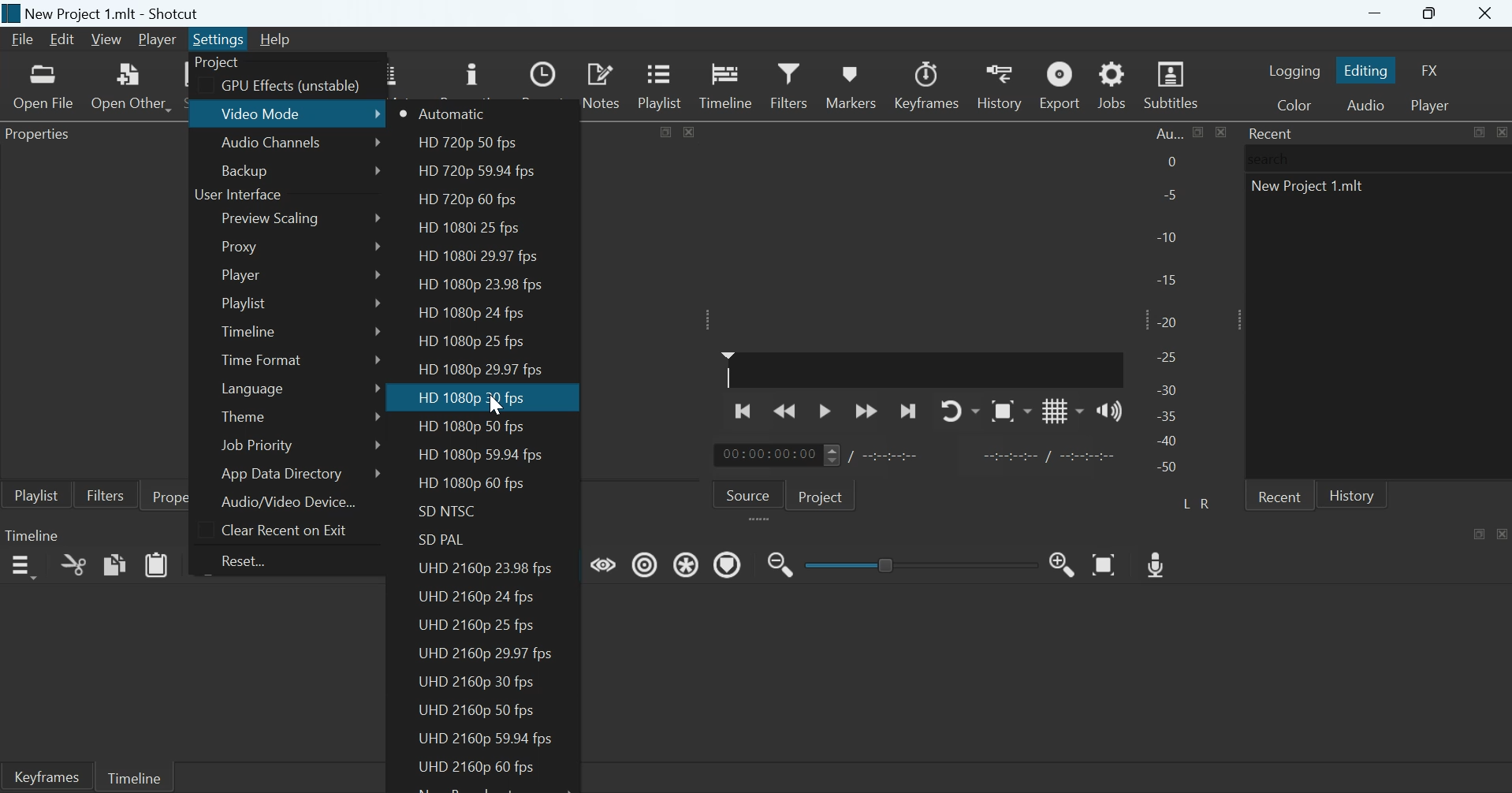 The image size is (1512, 793). Describe the element at coordinates (850, 84) in the screenshot. I see `Markers` at that location.